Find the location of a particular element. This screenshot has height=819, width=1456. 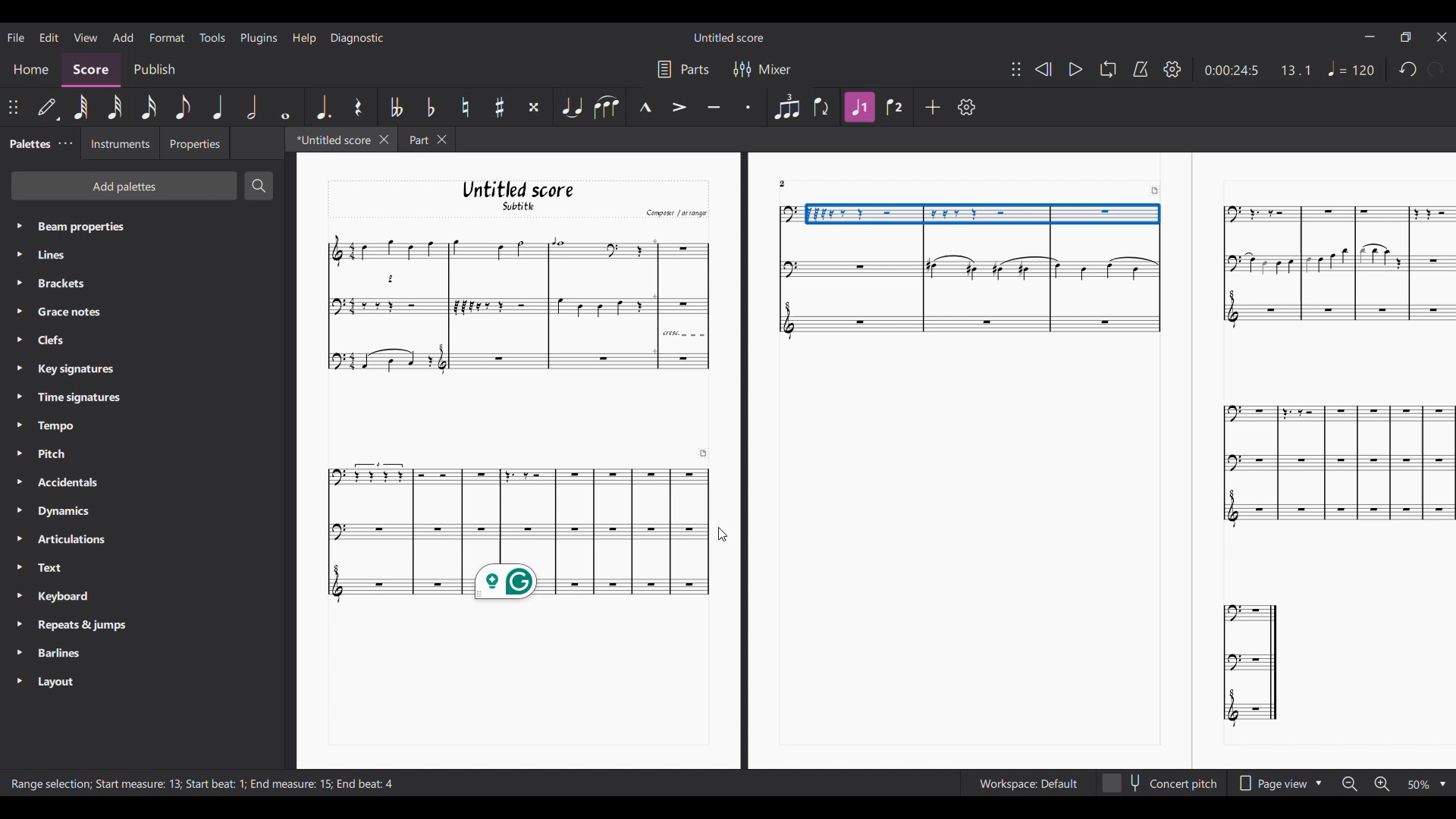

Add palette is located at coordinates (124, 186).